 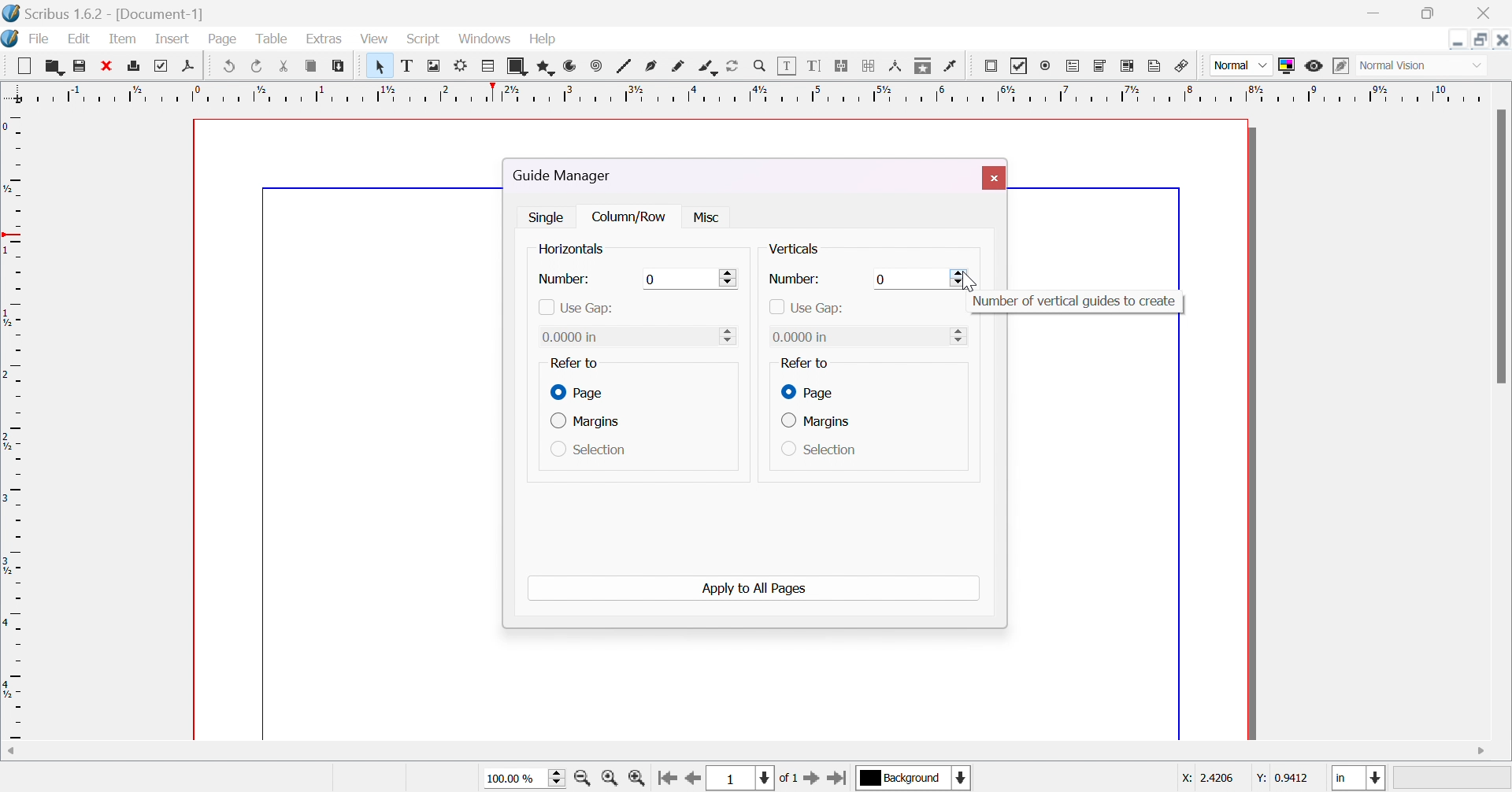 I want to click on edit, so click(x=79, y=39).